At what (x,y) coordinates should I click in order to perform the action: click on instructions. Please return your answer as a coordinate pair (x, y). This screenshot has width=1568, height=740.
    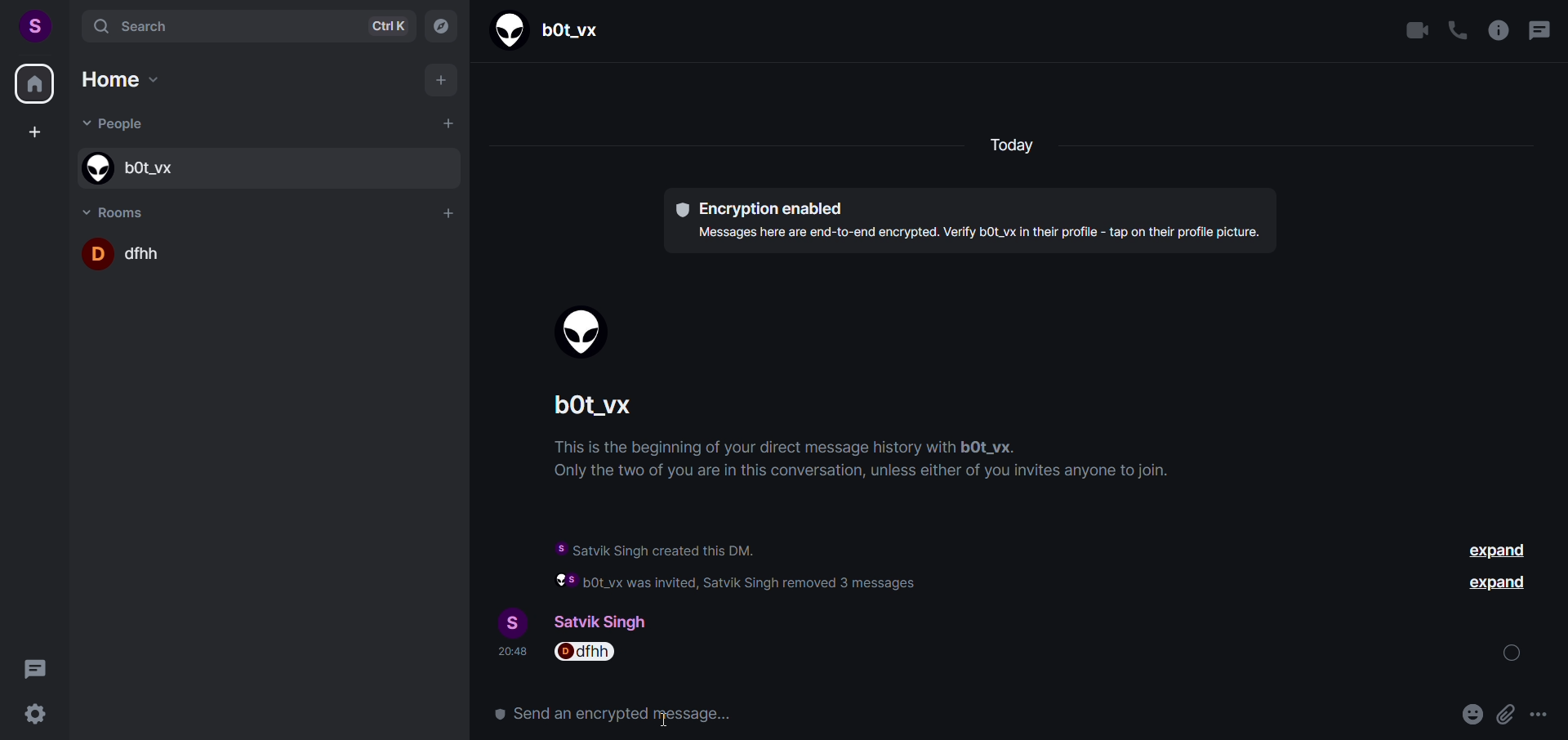
    Looking at the image, I should click on (869, 462).